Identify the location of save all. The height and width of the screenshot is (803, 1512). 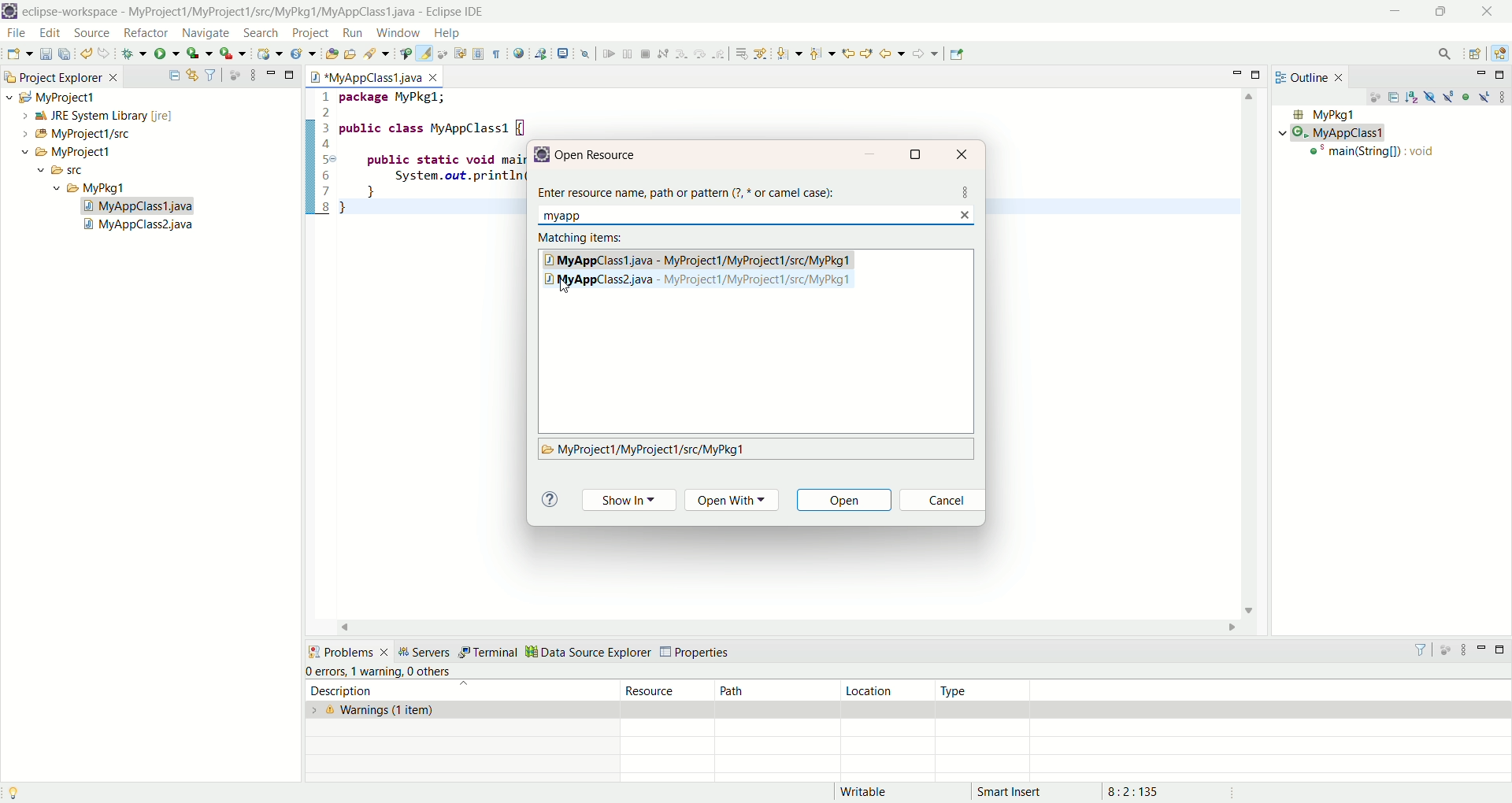
(67, 54).